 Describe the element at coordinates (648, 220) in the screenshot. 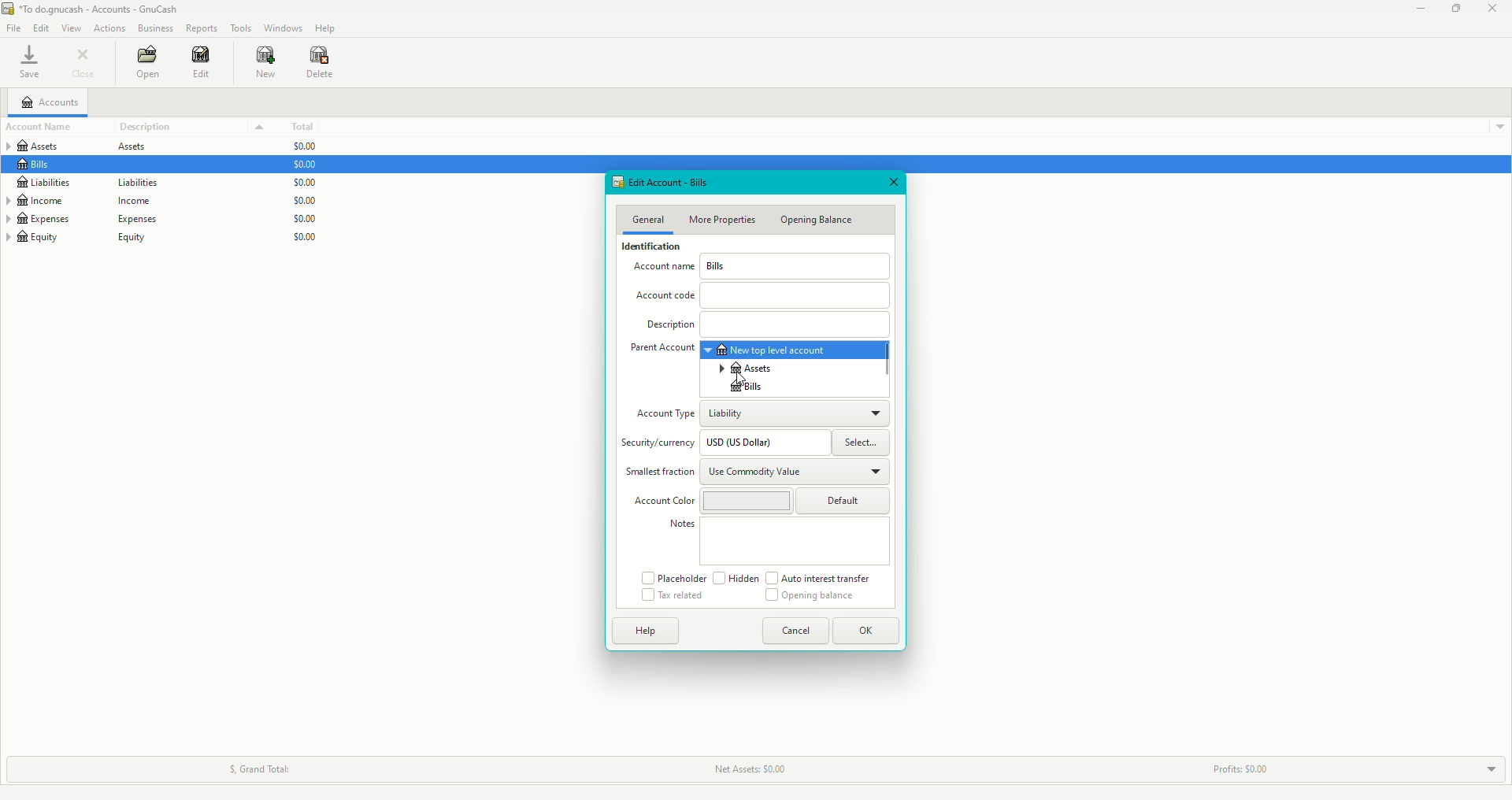

I see `General` at that location.